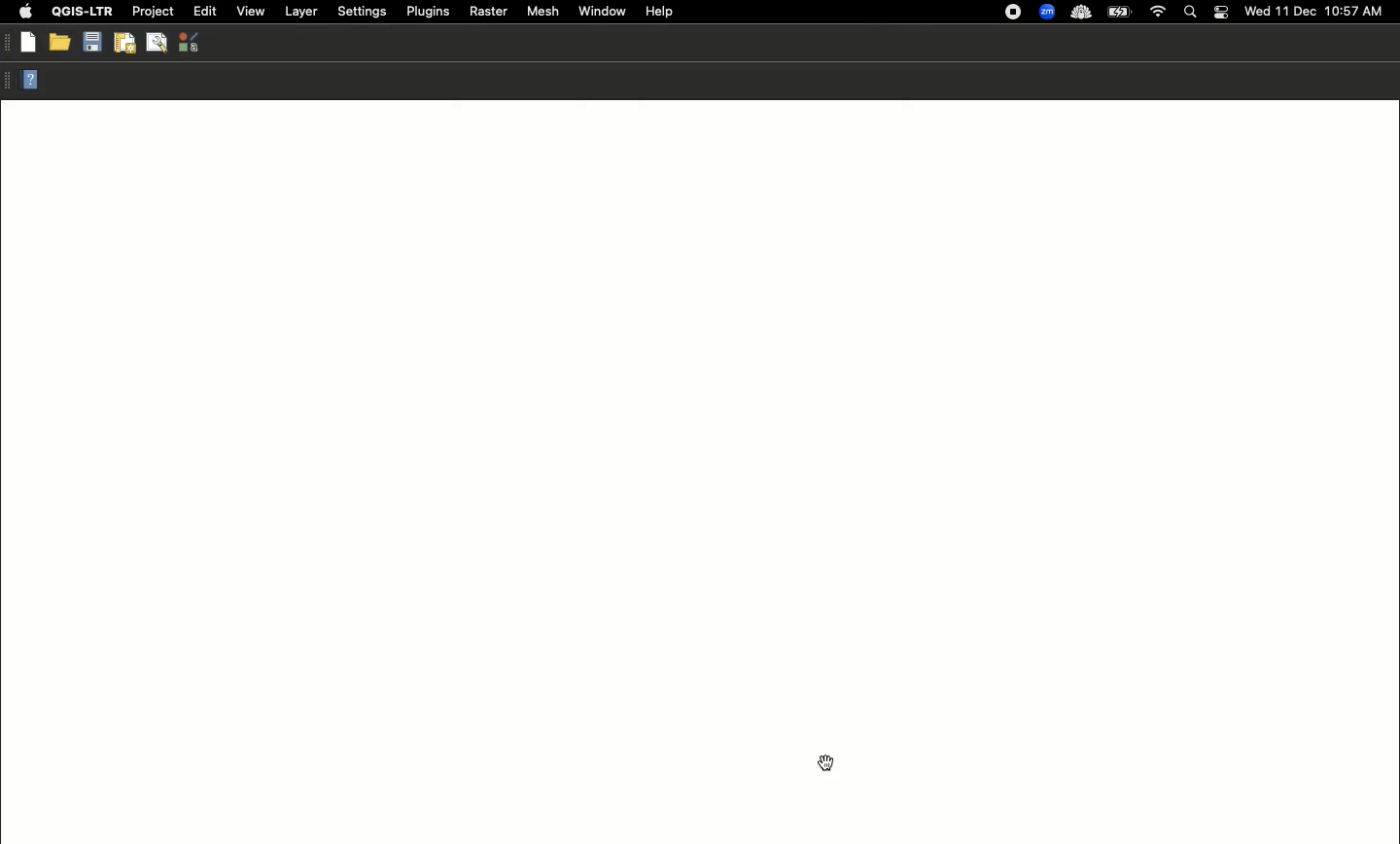  Describe the element at coordinates (203, 11) in the screenshot. I see `Edit` at that location.